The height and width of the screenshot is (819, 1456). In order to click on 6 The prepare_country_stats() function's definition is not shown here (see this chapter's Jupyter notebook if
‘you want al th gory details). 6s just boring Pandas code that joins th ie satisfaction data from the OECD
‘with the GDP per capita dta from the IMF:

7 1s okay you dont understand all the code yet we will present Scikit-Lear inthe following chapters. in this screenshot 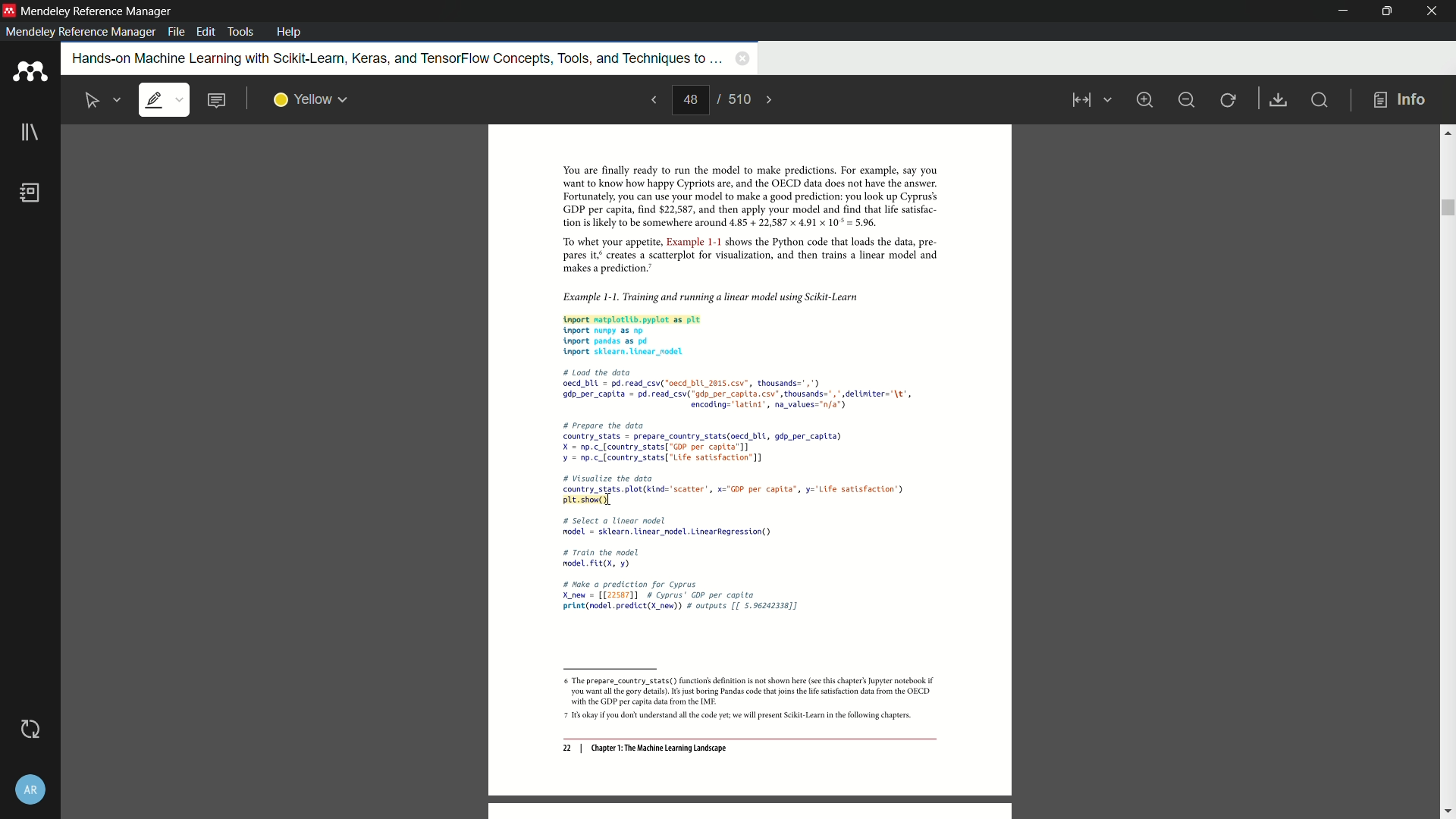, I will do `click(743, 700)`.